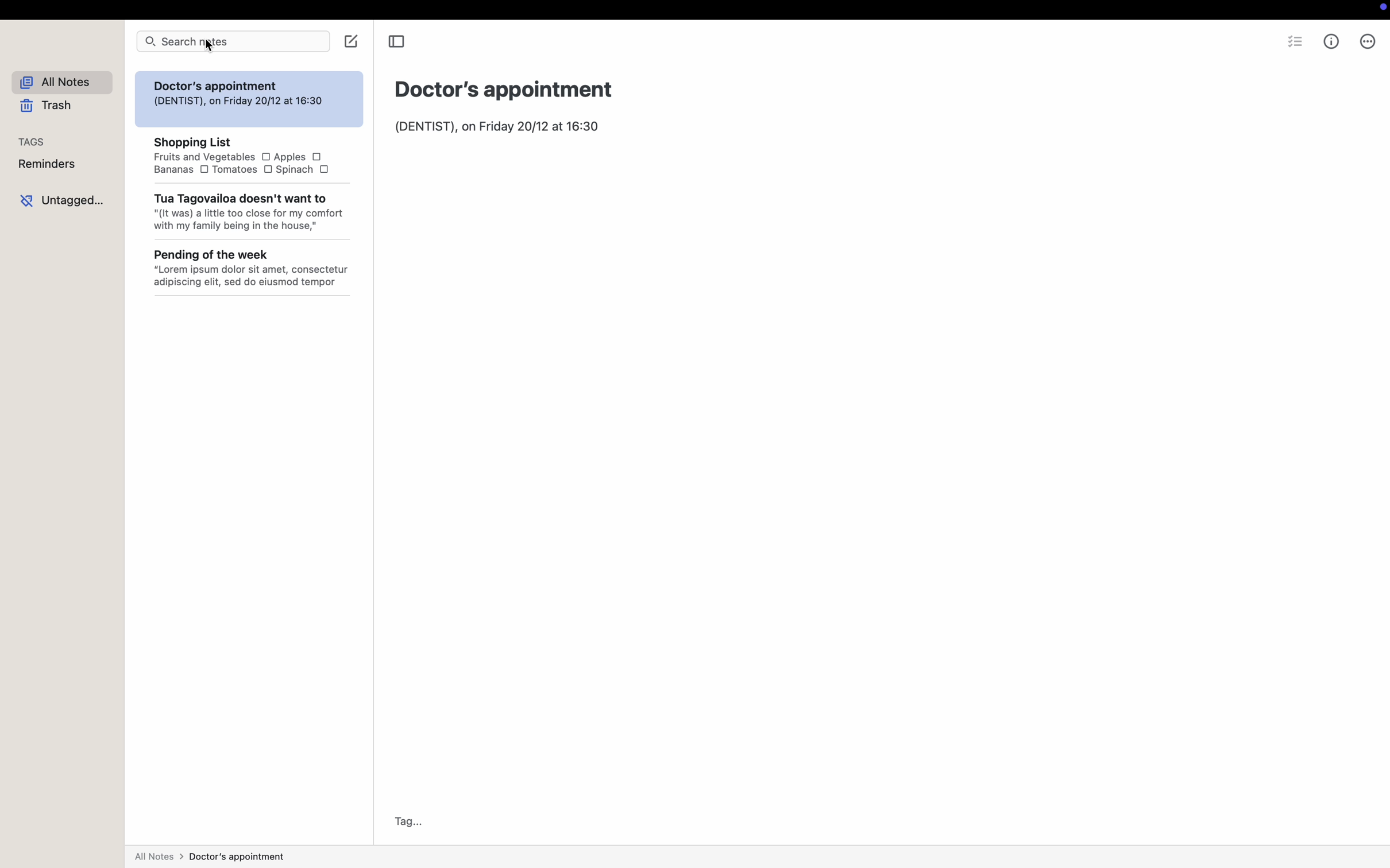 The image size is (1390, 868). What do you see at coordinates (398, 42) in the screenshot?
I see `toggle sidebar` at bounding box center [398, 42].